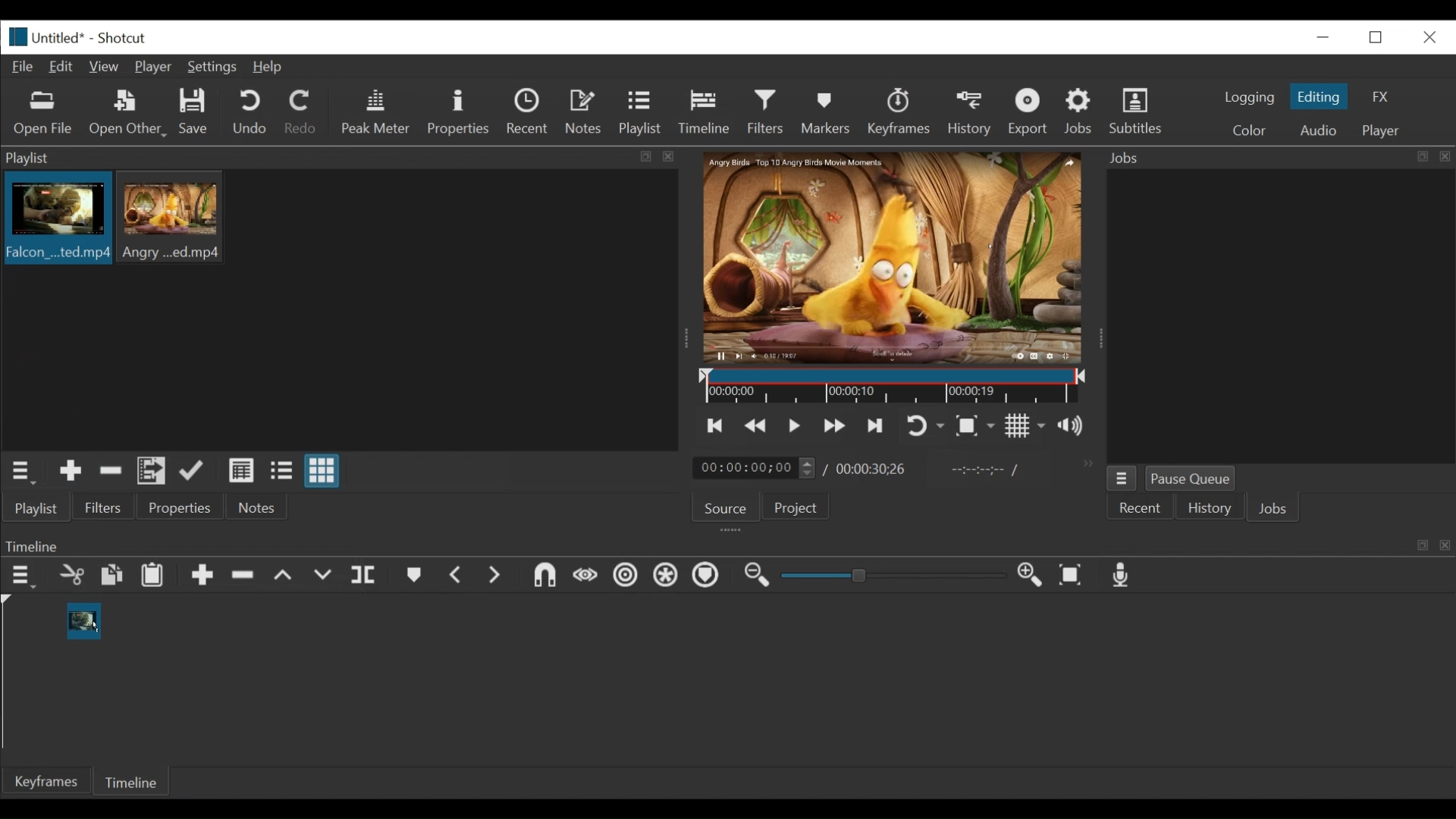 The image size is (1456, 819). I want to click on Ripple markers, so click(709, 577).